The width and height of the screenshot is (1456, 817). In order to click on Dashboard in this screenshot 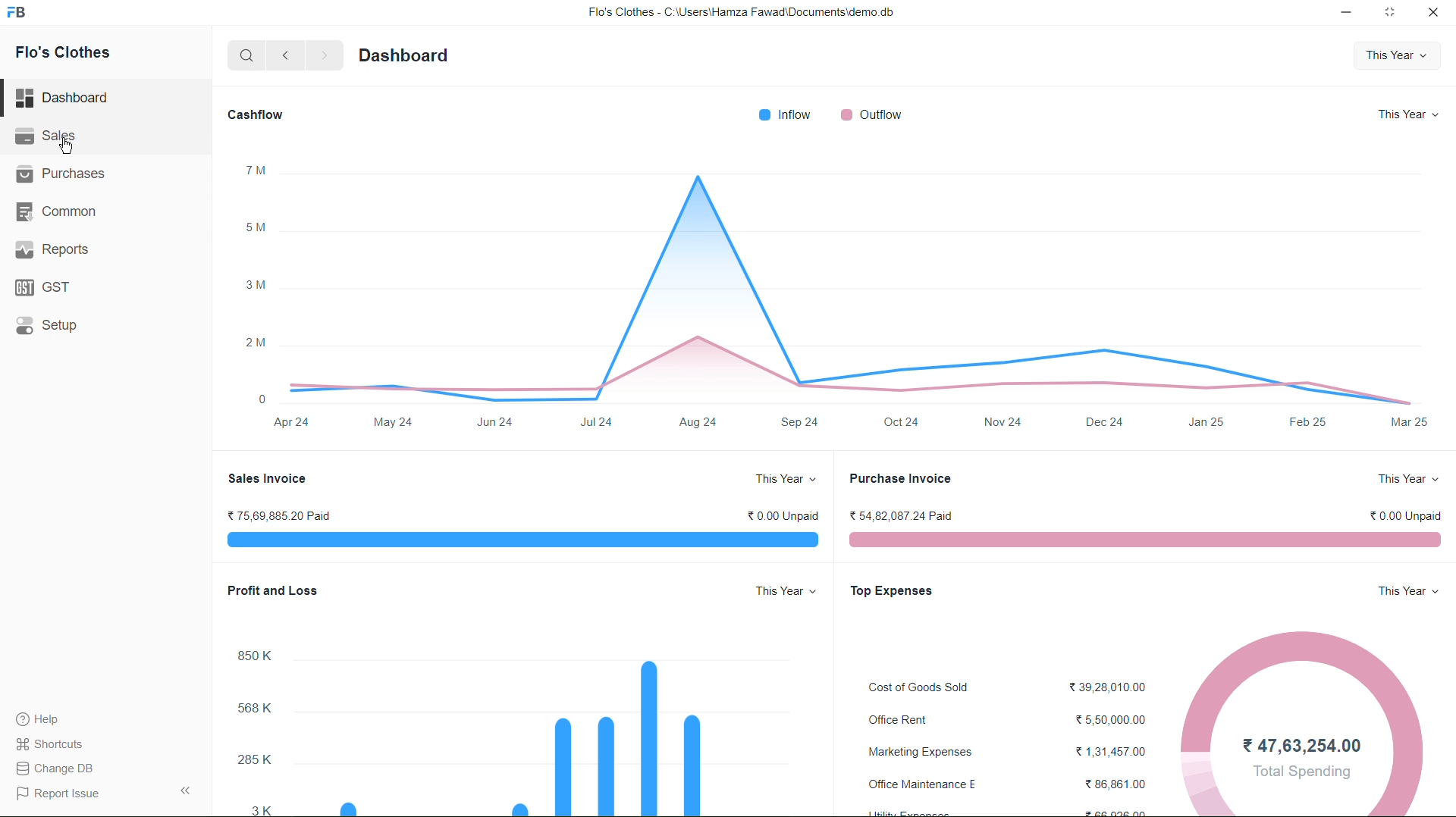, I will do `click(406, 54)`.